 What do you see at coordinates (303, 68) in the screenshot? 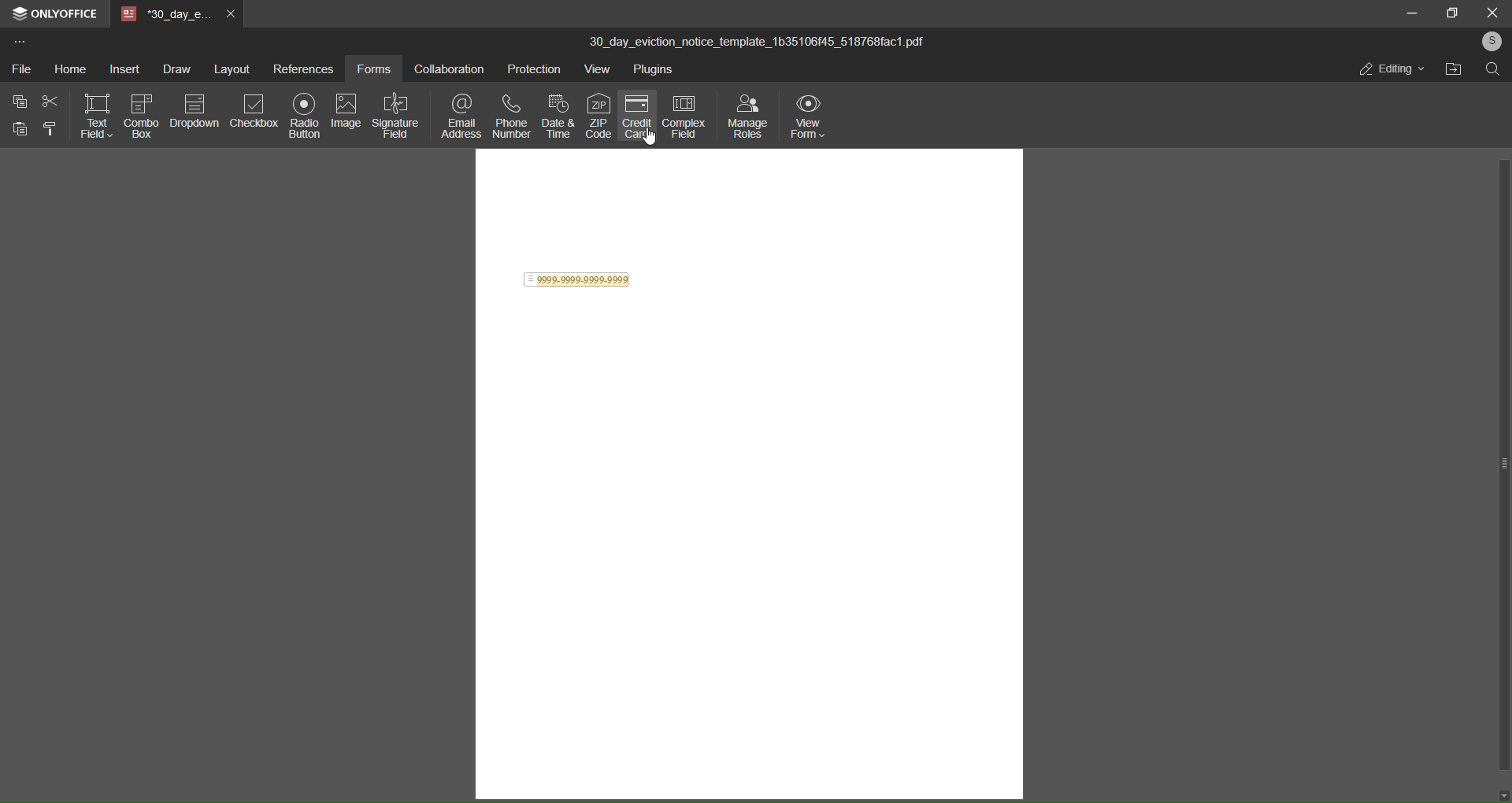
I see `references` at bounding box center [303, 68].